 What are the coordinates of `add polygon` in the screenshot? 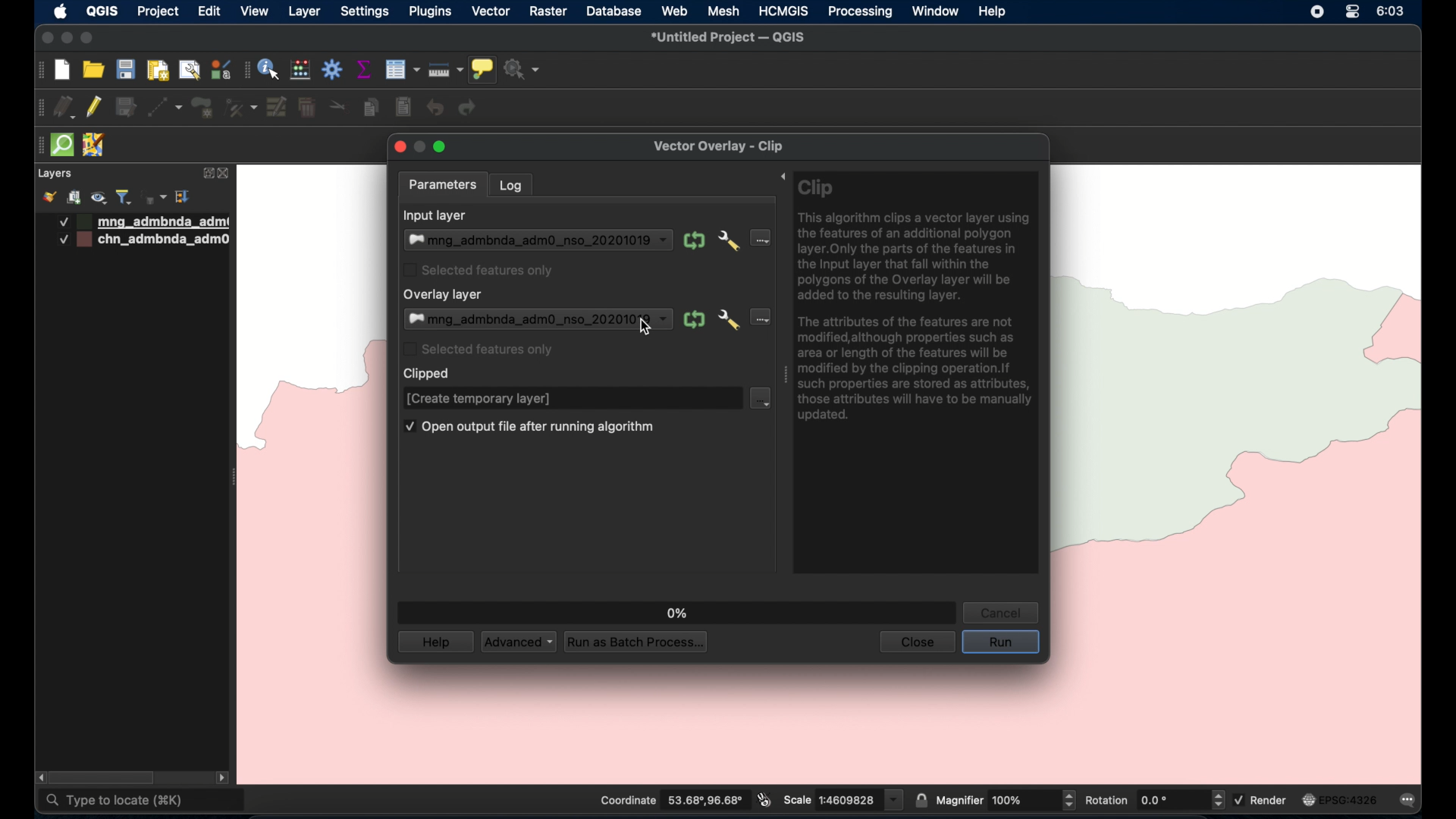 It's located at (204, 108).